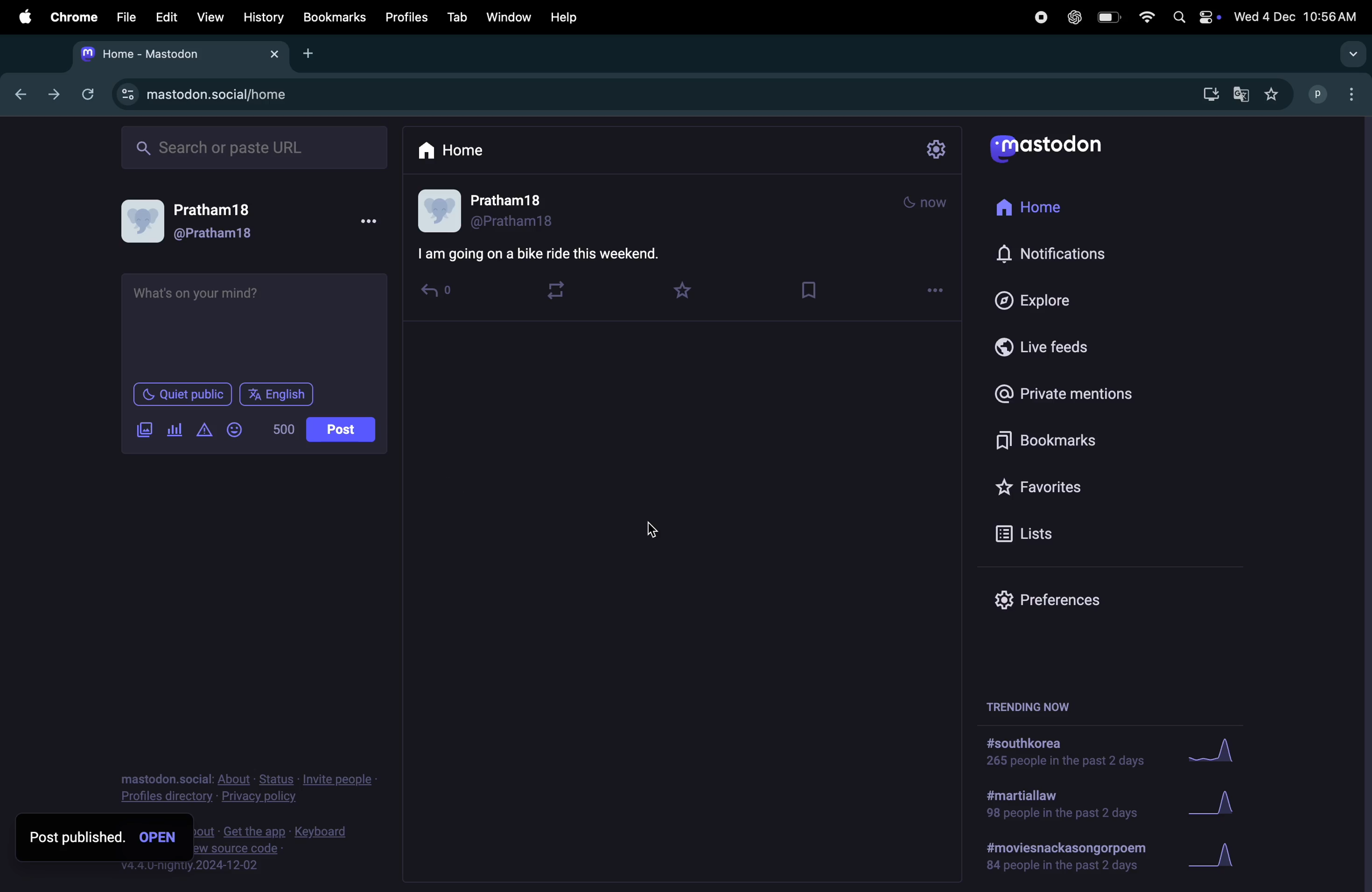 The height and width of the screenshot is (892, 1372). Describe the element at coordinates (202, 222) in the screenshot. I see `User profile` at that location.